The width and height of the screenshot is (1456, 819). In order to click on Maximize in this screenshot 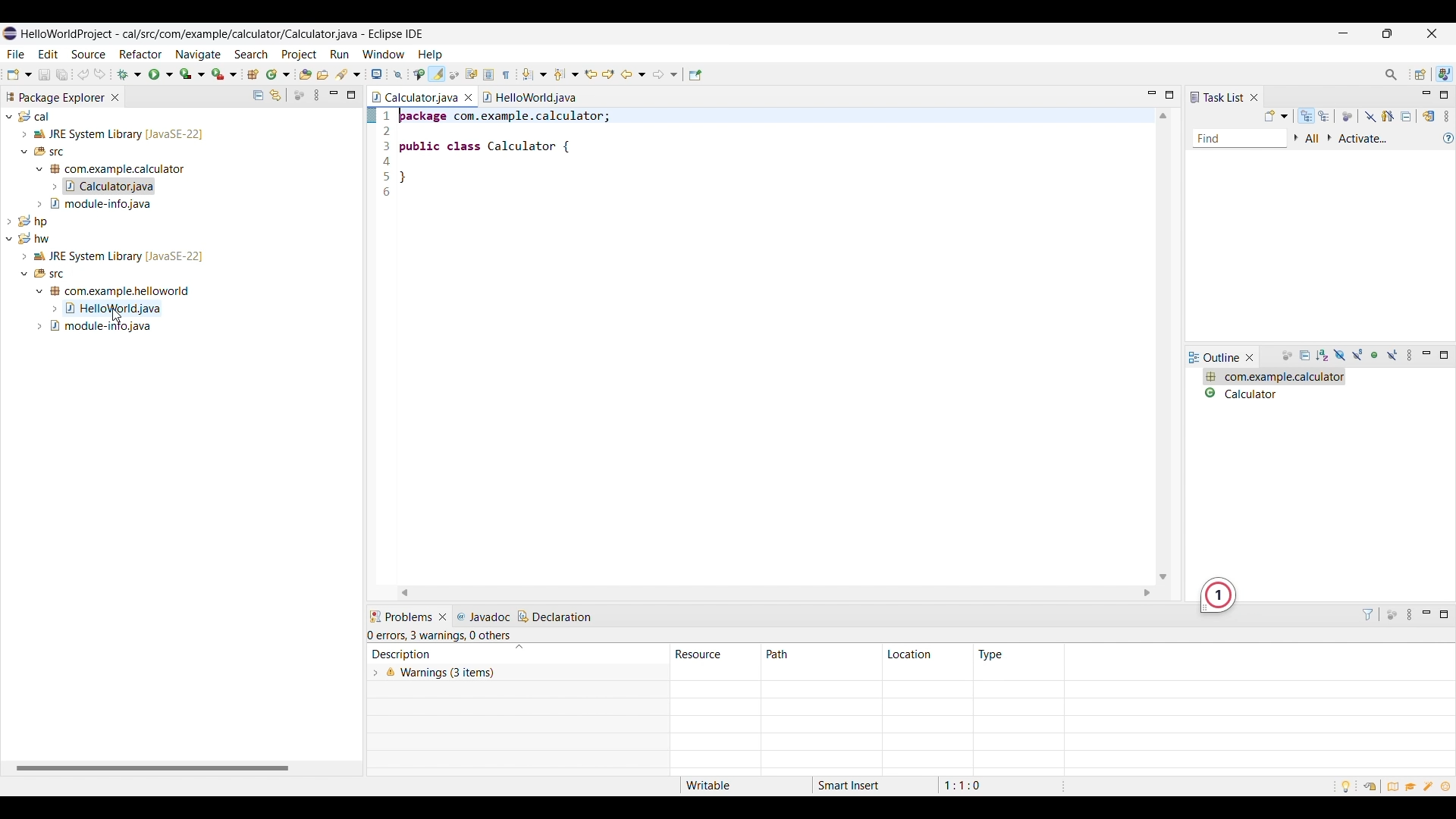, I will do `click(1444, 615)`.